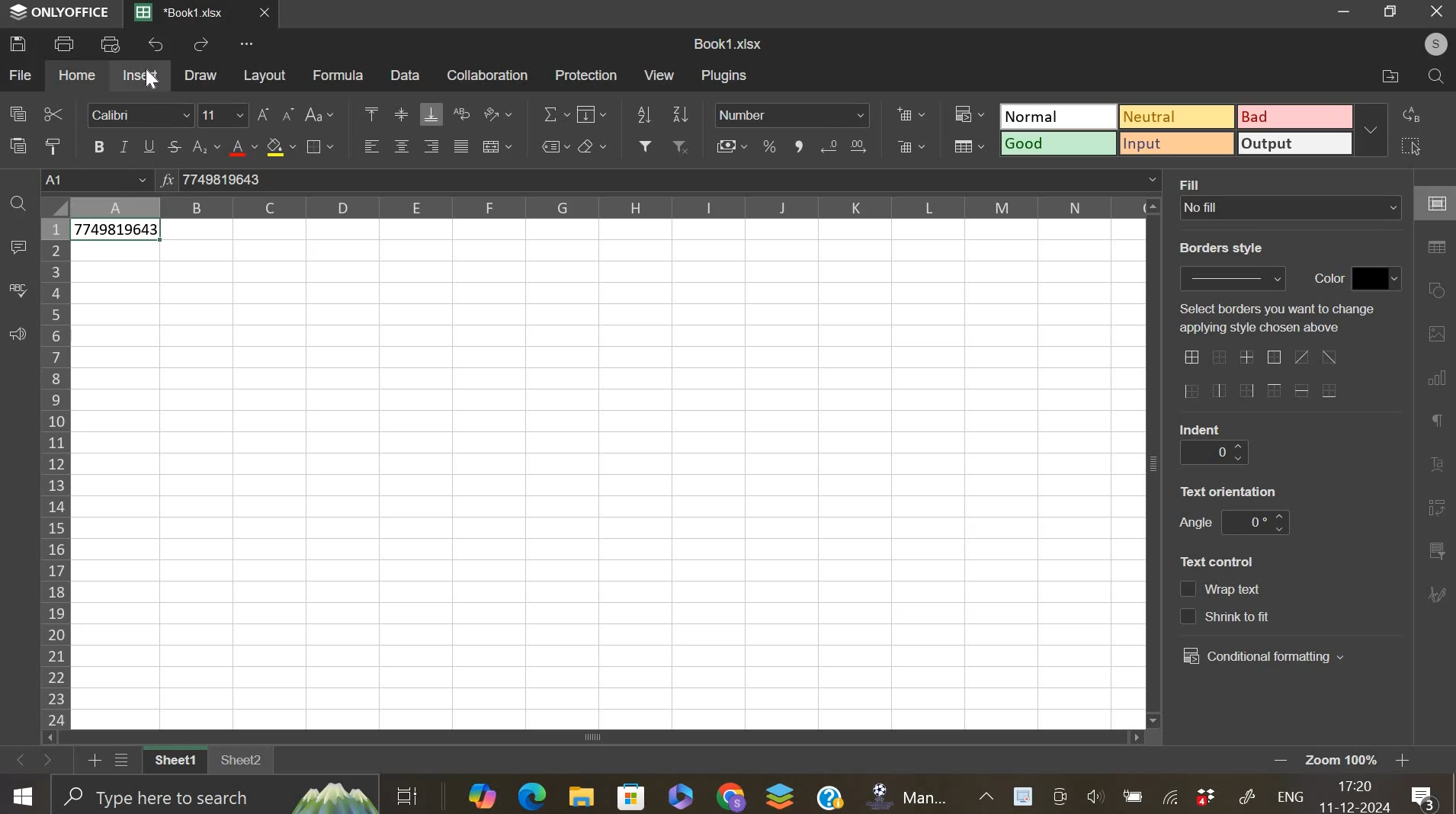  I want to click on conditional formatting, so click(970, 114).